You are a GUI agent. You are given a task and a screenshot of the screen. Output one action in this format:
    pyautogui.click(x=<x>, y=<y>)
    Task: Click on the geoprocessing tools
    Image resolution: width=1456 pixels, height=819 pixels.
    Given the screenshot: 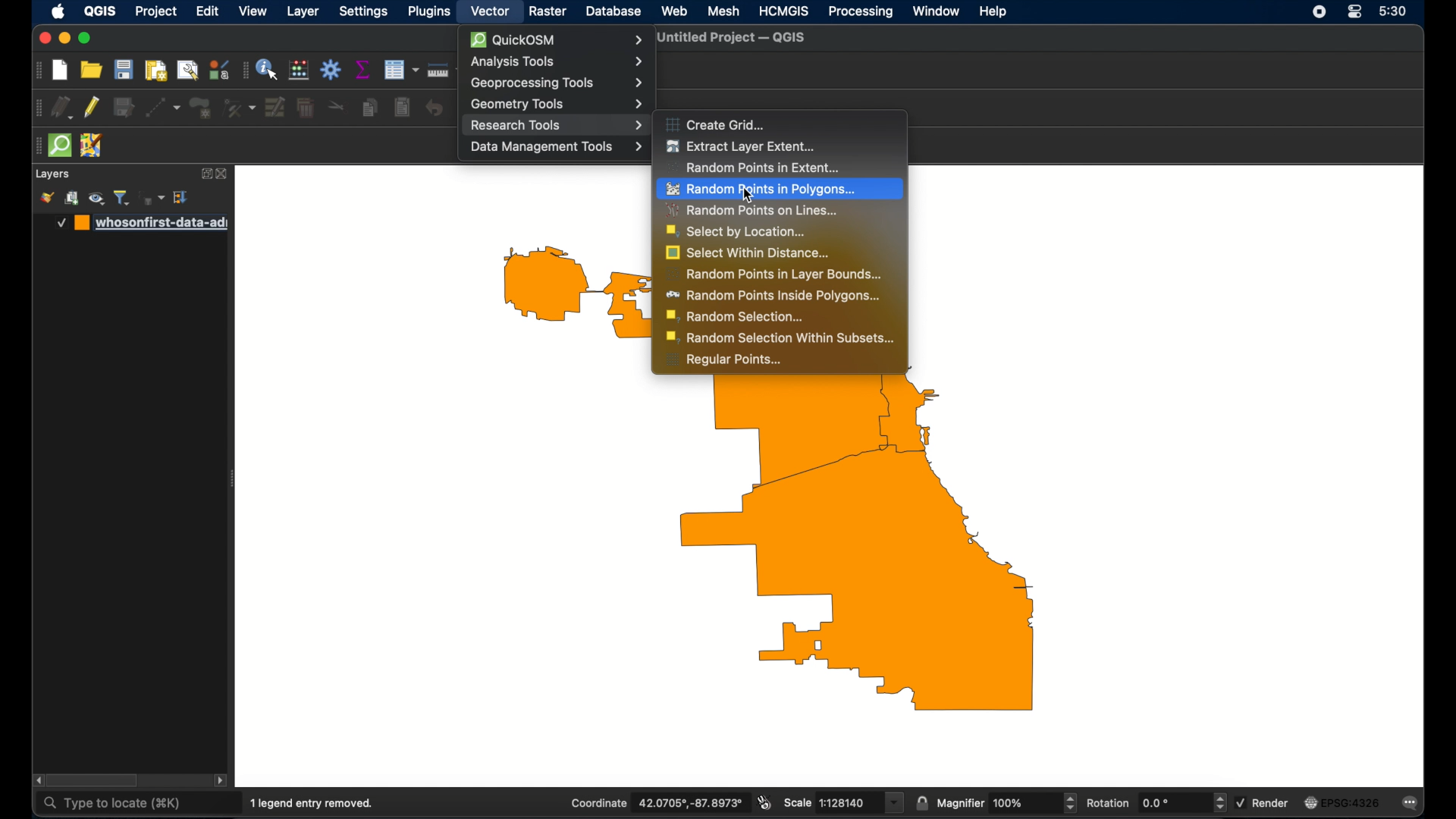 What is the action you would take?
    pyautogui.click(x=555, y=82)
    